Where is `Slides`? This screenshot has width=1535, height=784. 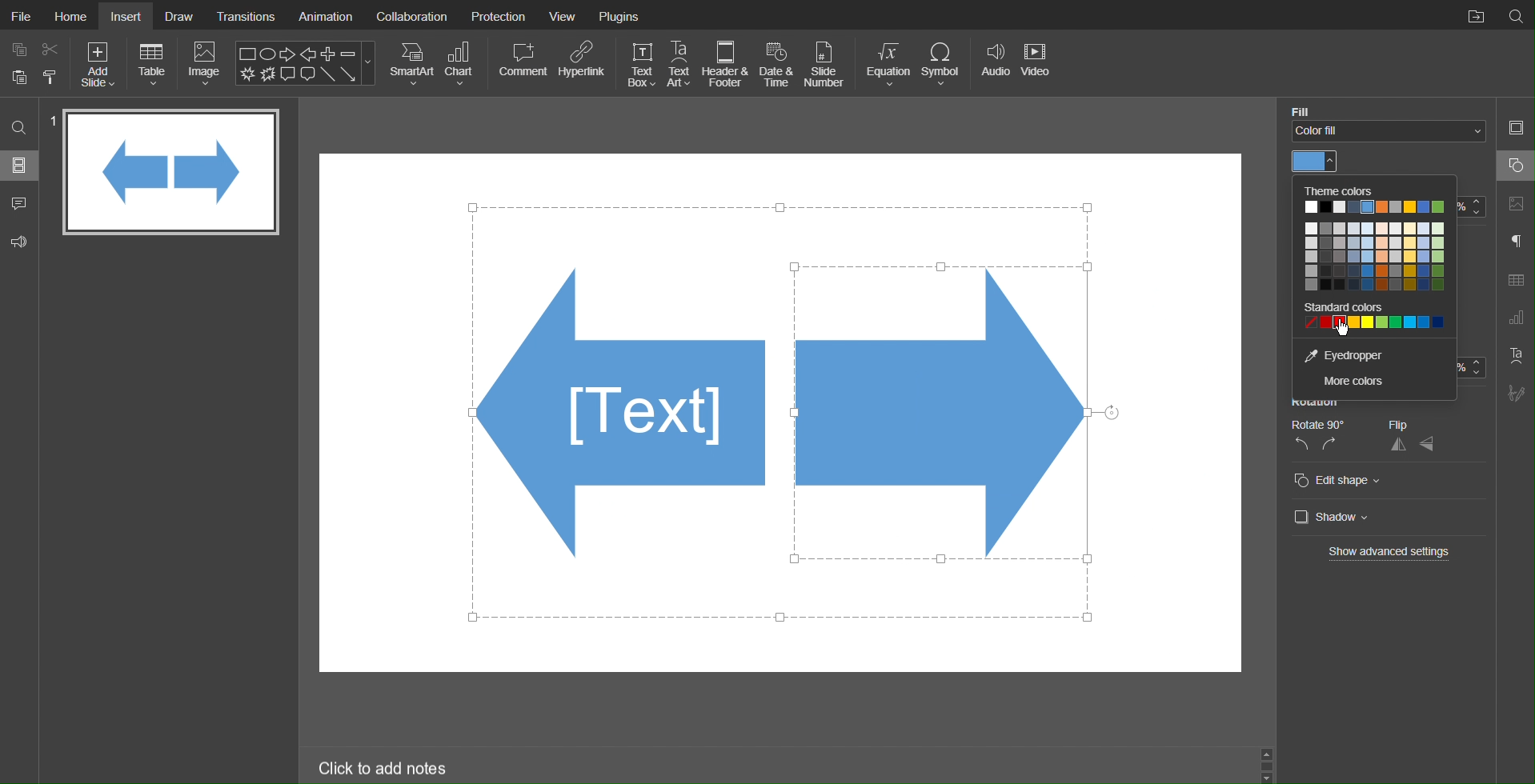 Slides is located at coordinates (20, 165).